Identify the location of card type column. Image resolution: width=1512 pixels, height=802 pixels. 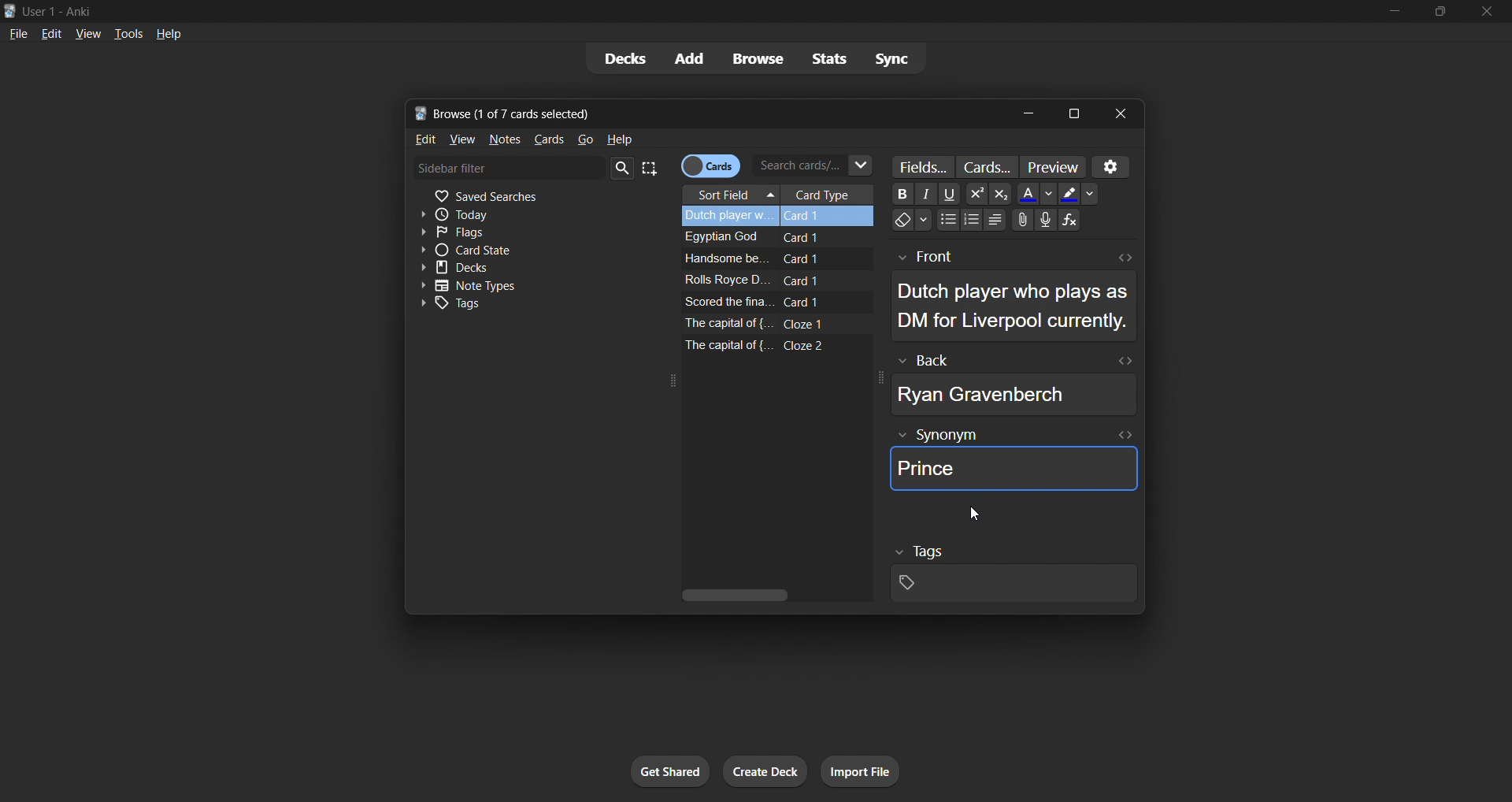
(831, 195).